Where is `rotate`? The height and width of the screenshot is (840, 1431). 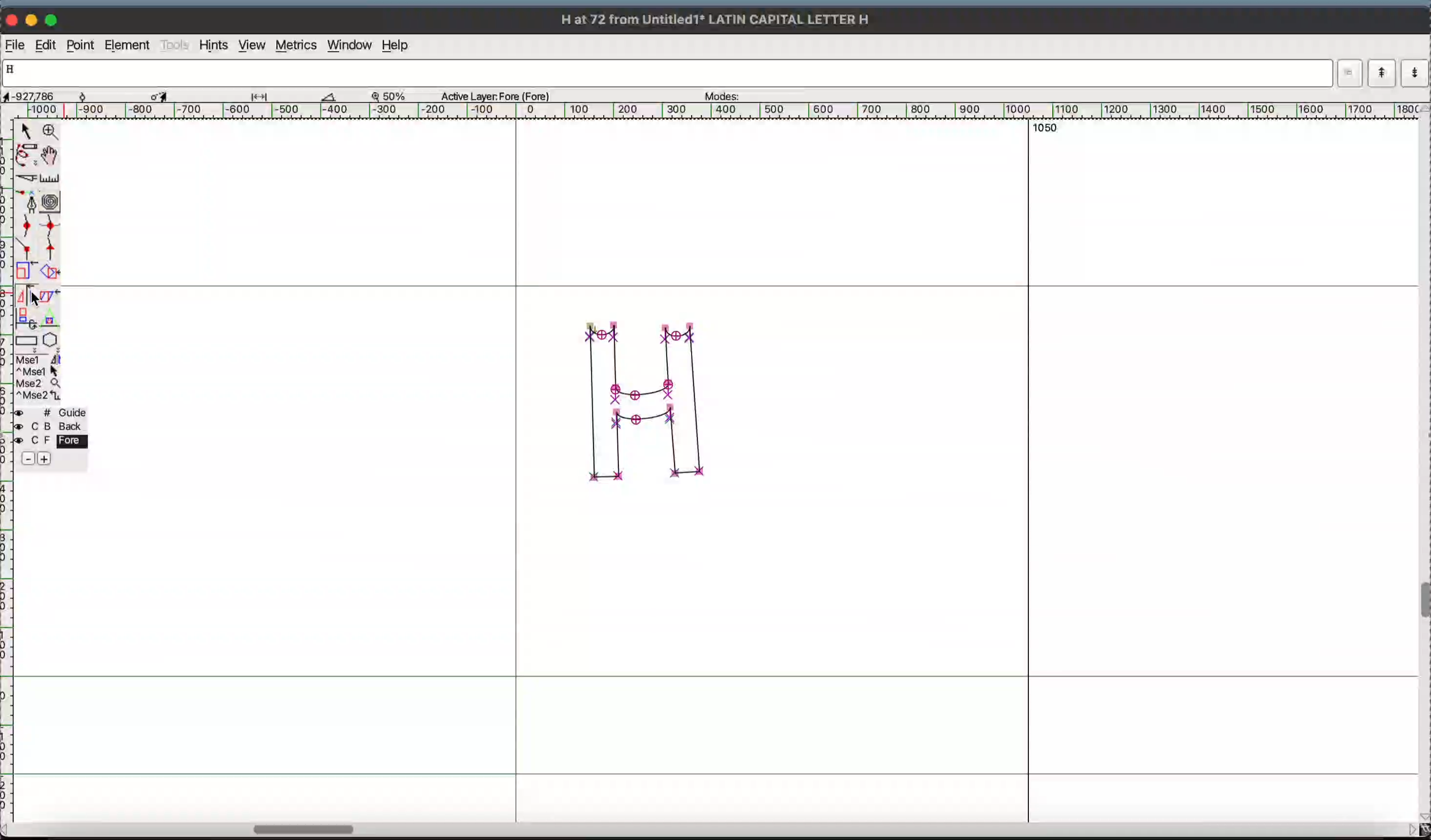 rotate is located at coordinates (51, 272).